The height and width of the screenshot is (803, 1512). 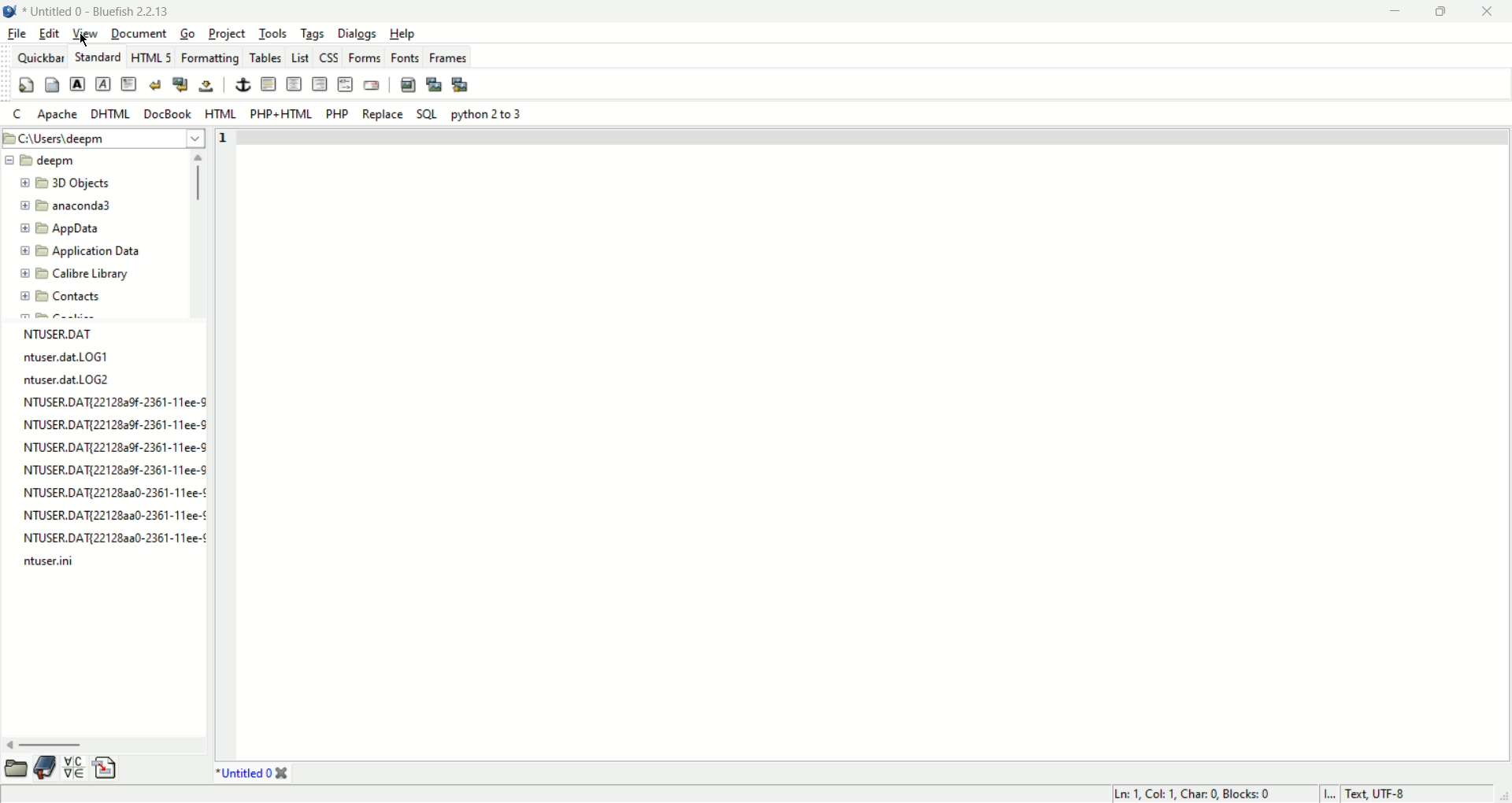 I want to click on text, UTF-8, so click(x=1381, y=794).